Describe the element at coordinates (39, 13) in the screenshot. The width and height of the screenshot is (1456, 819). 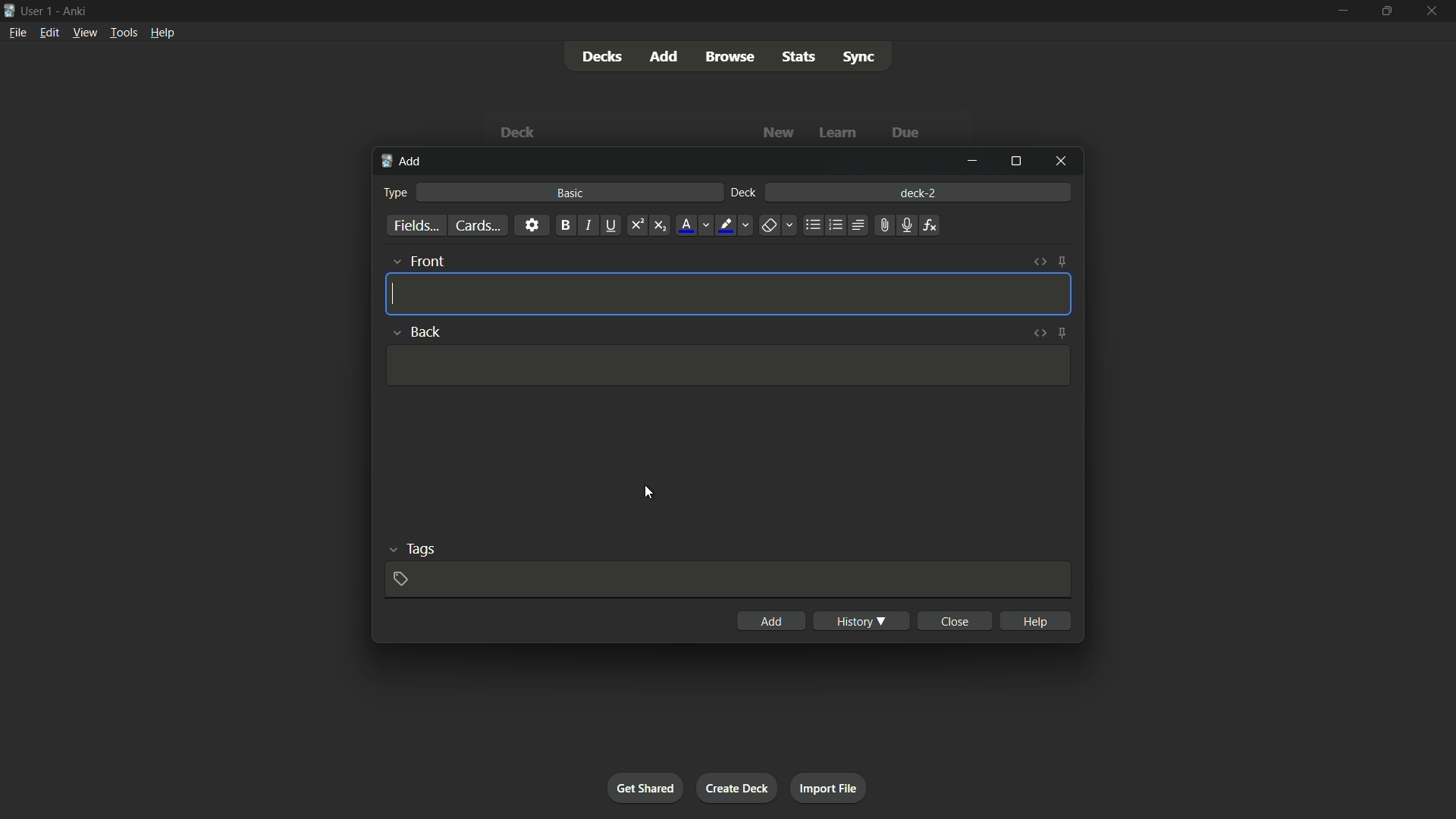
I see `user 1` at that location.